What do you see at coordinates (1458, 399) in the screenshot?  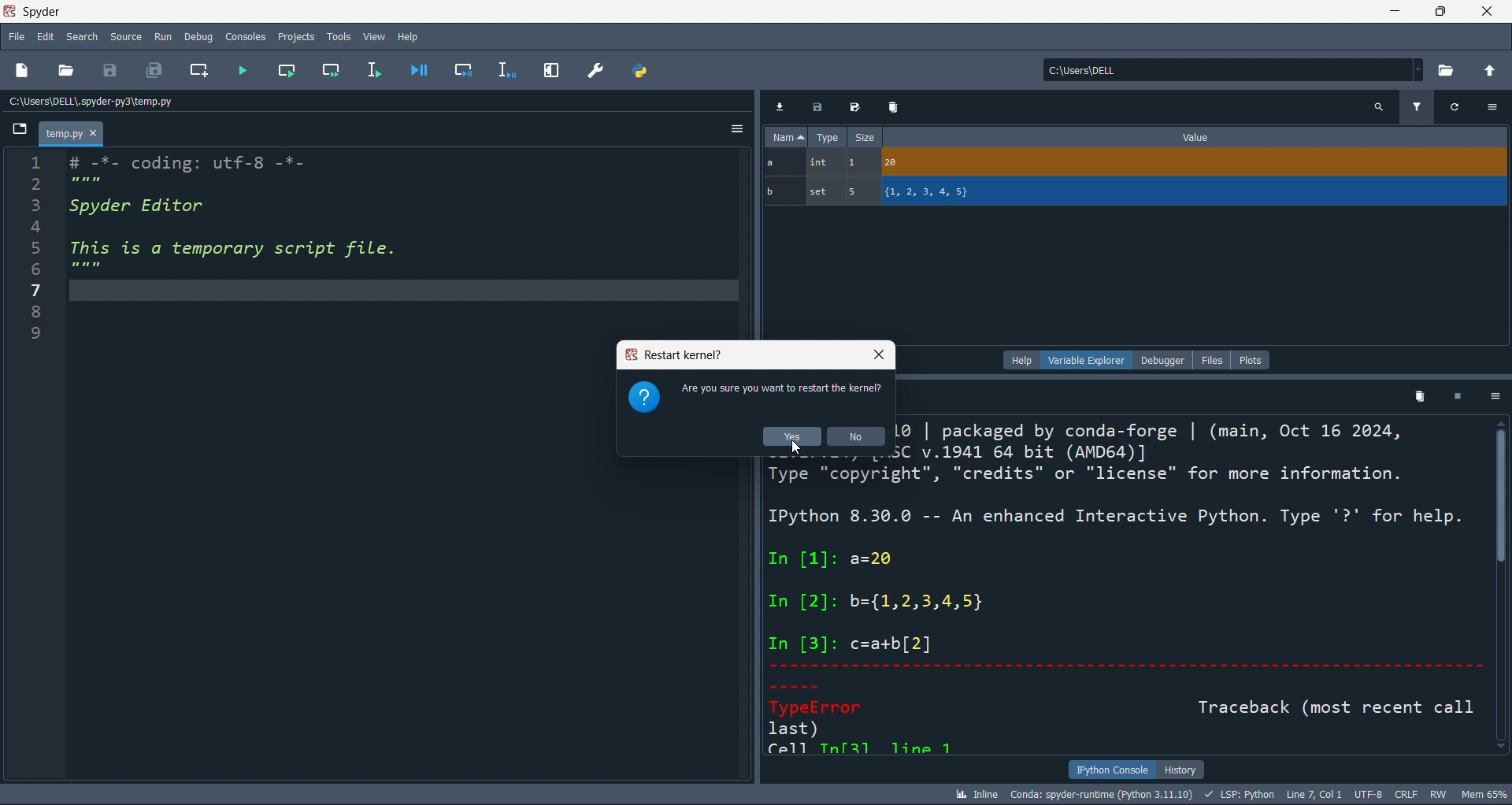 I see `stop kernel` at bounding box center [1458, 399].